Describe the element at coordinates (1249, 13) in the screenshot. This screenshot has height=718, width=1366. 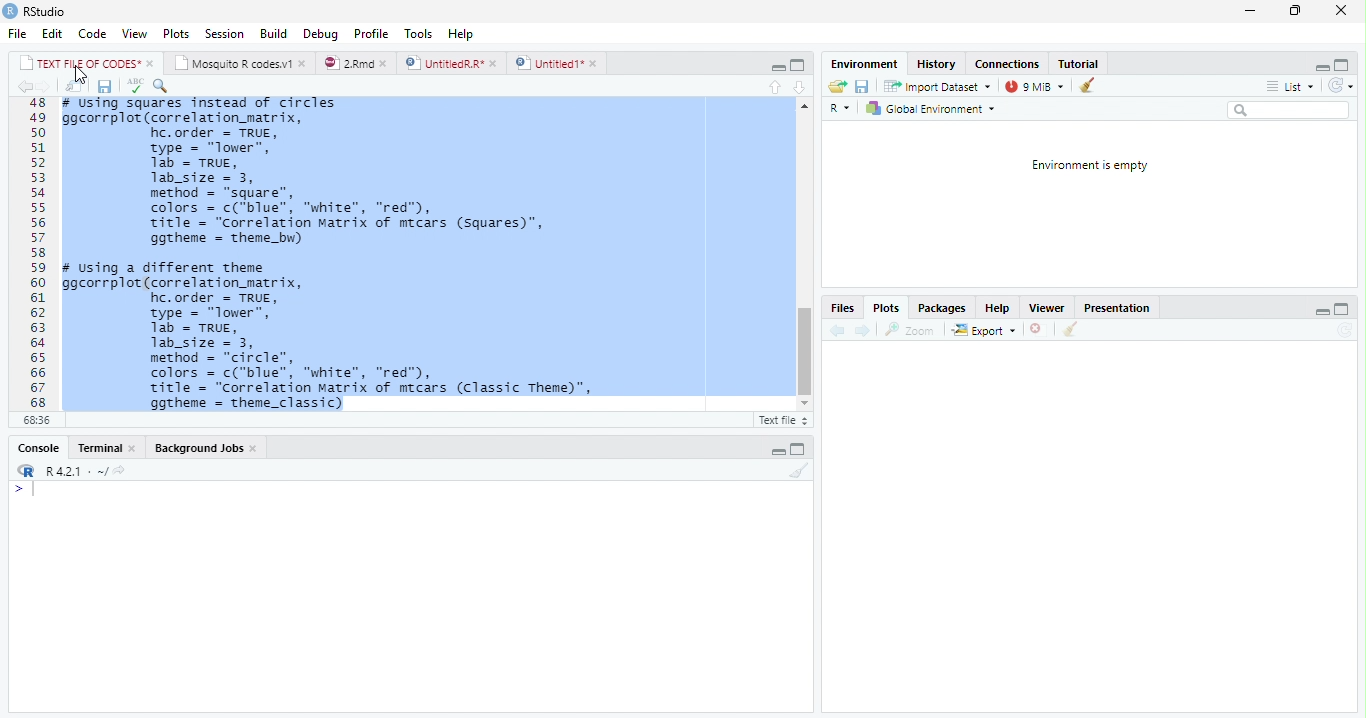
I see `minimize` at that location.